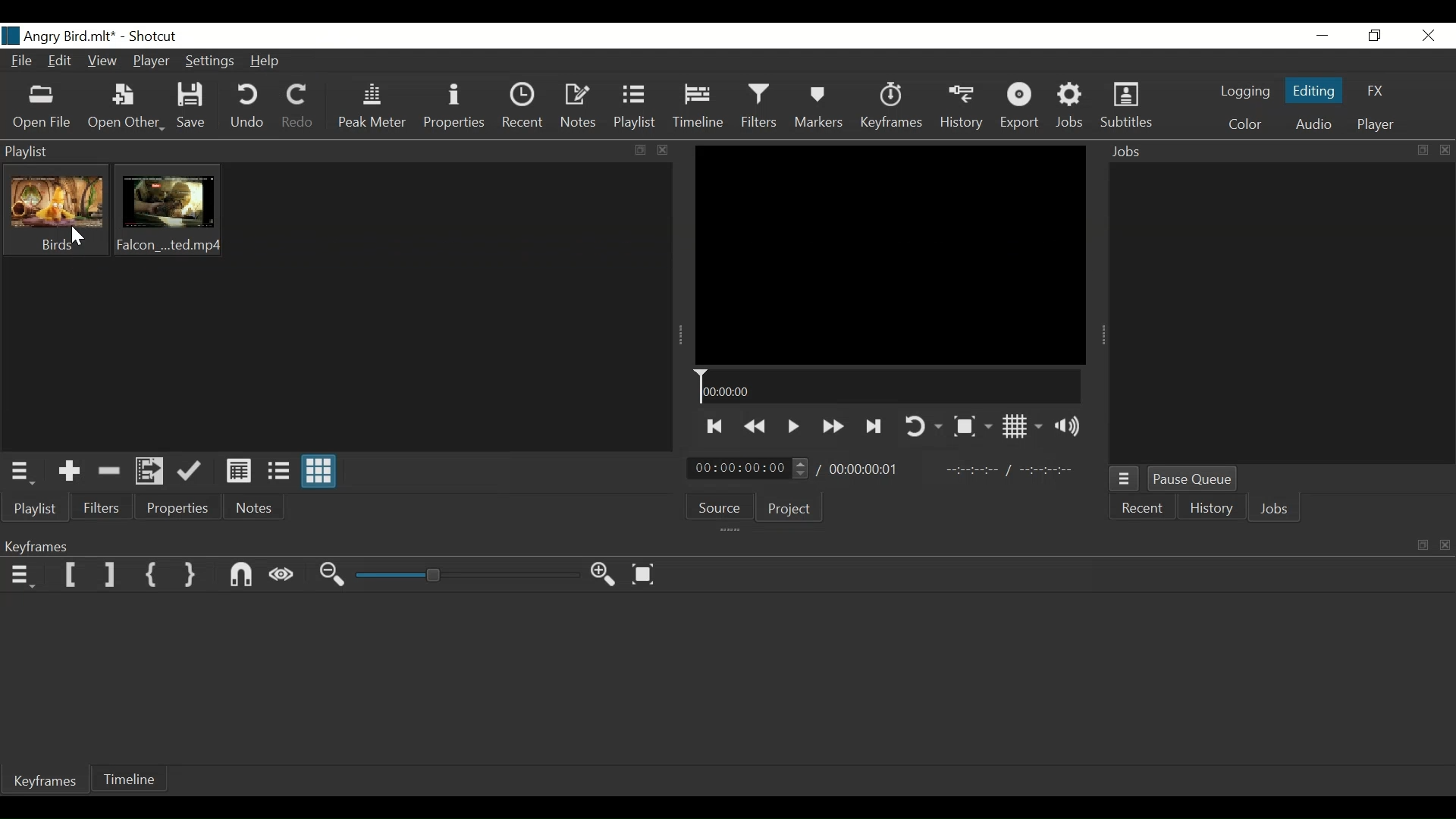 Image resolution: width=1456 pixels, height=819 pixels. Describe the element at coordinates (453, 106) in the screenshot. I see `Properties` at that location.